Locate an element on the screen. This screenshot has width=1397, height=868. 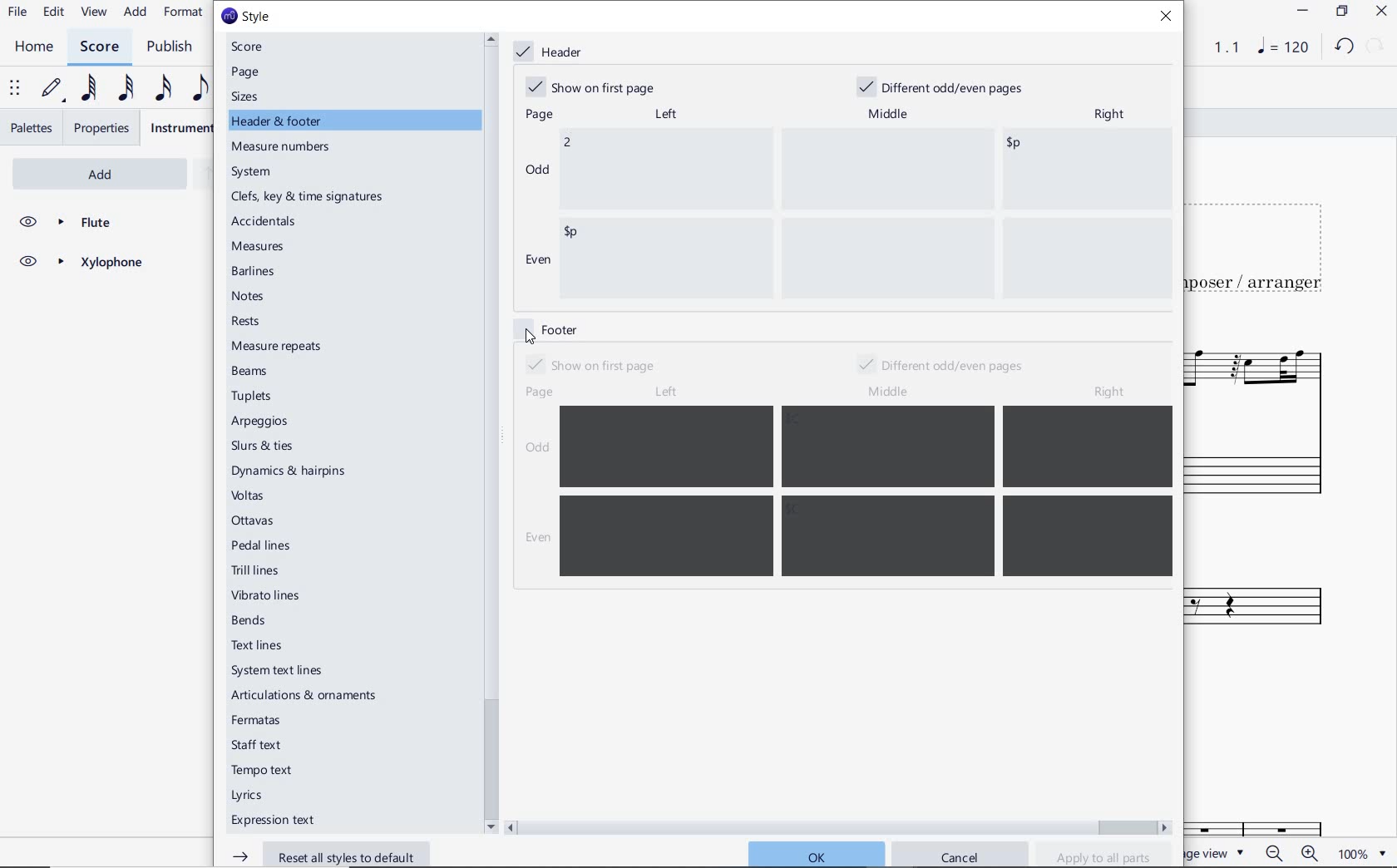
rests is located at coordinates (261, 322).